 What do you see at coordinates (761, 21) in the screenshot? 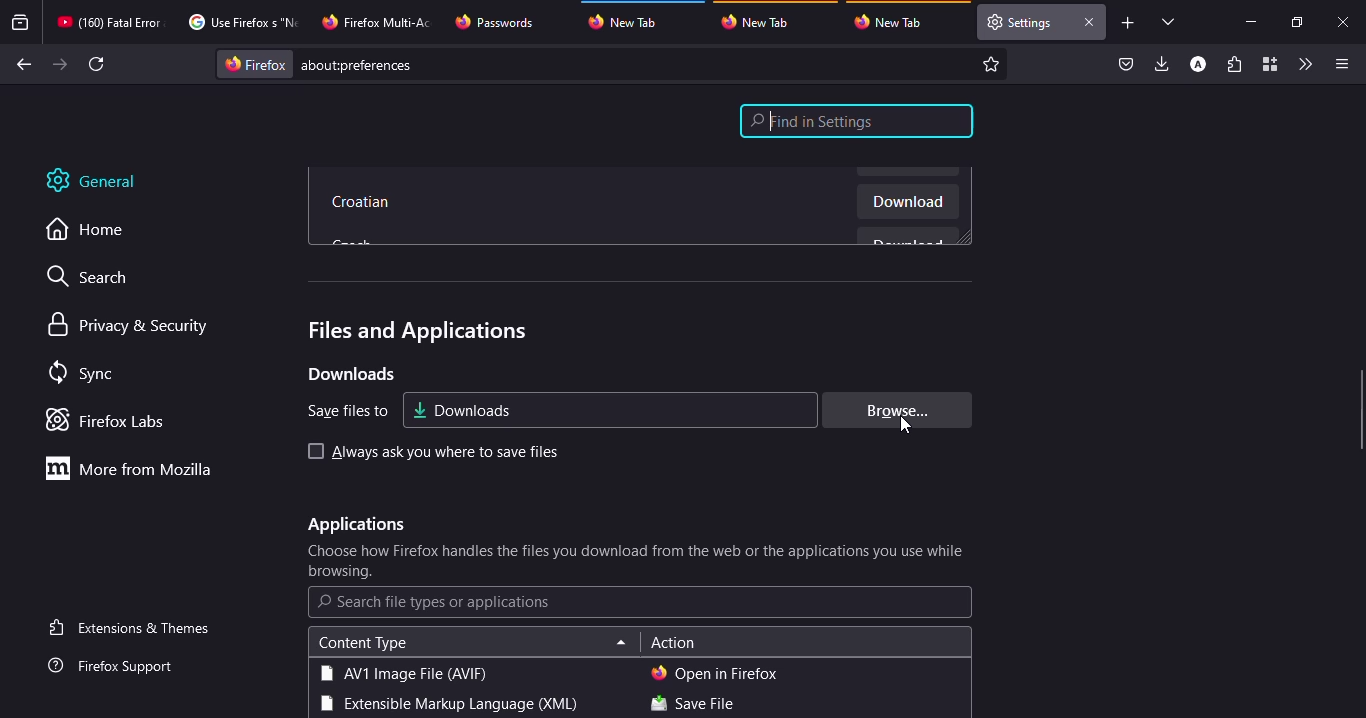
I see `tab` at bounding box center [761, 21].